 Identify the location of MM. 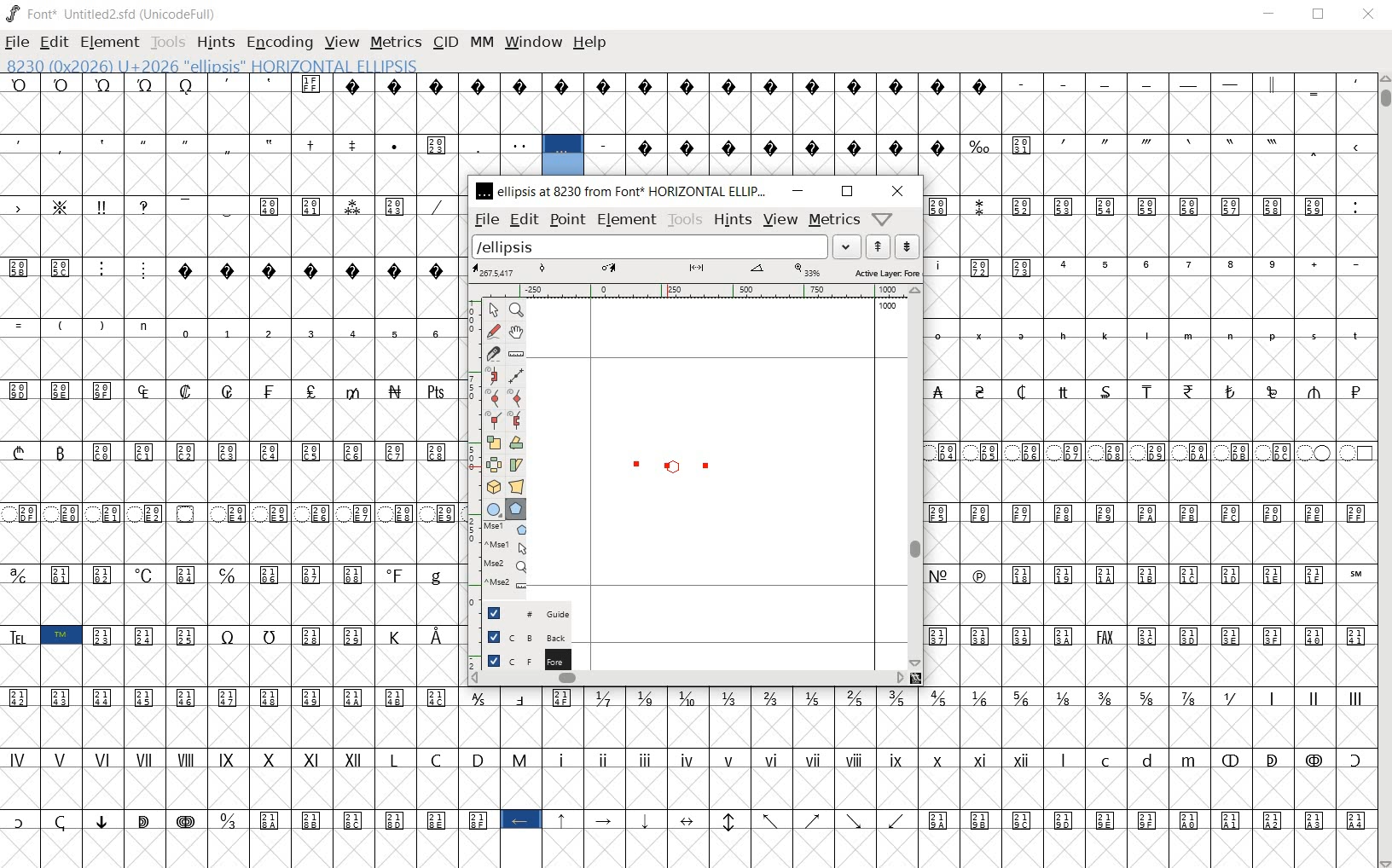
(481, 40).